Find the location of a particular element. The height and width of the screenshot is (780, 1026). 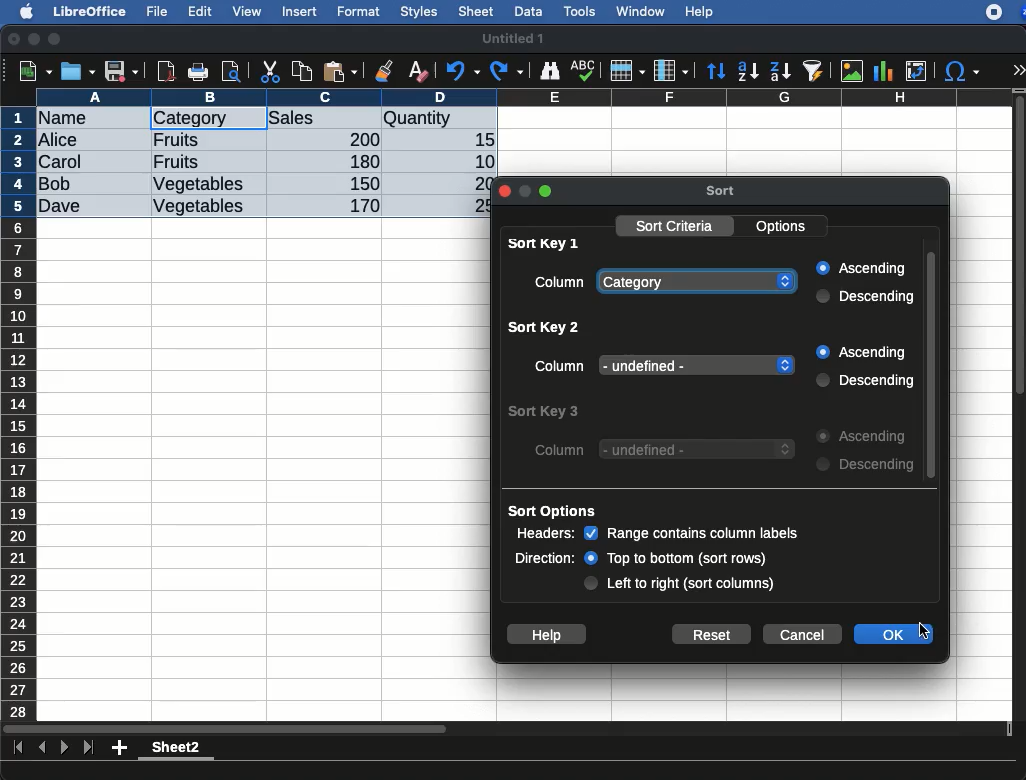

print preview is located at coordinates (231, 73).